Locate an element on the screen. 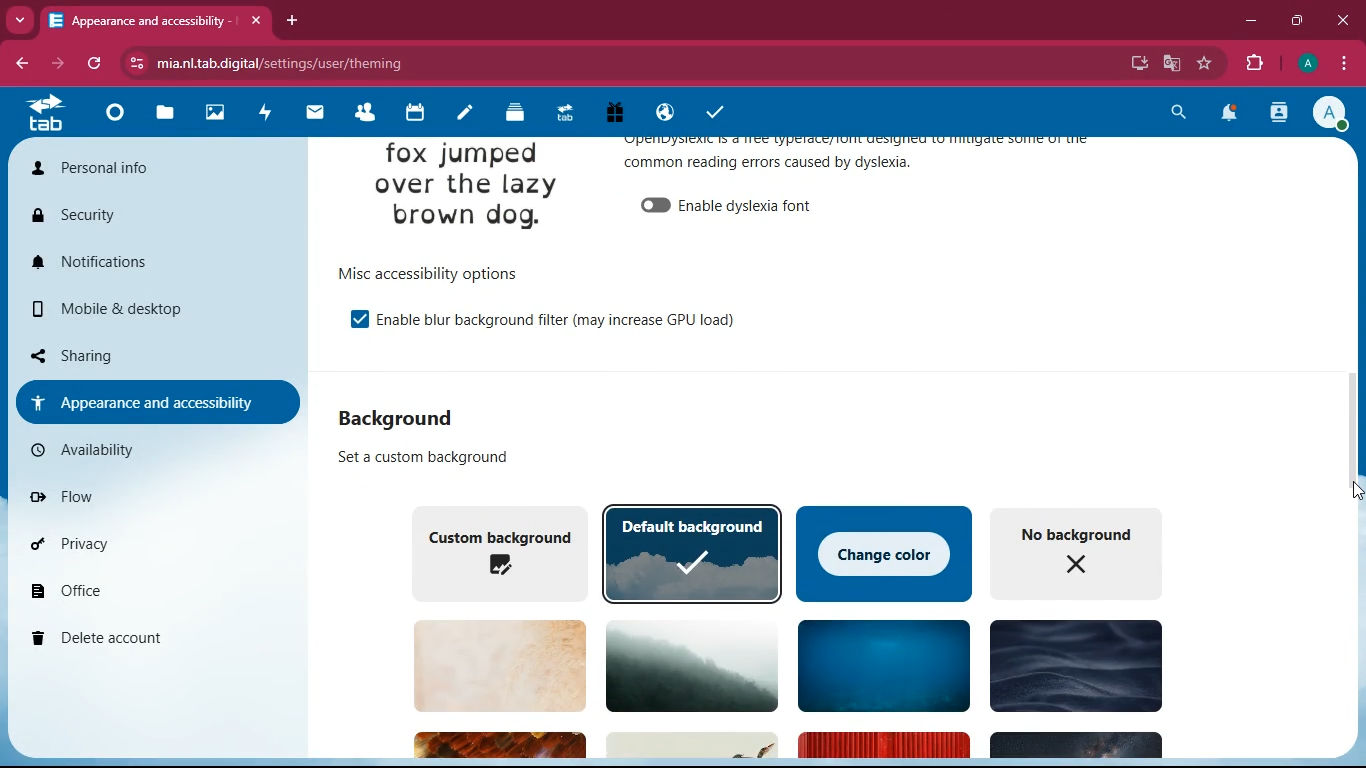  change is located at coordinates (882, 552).